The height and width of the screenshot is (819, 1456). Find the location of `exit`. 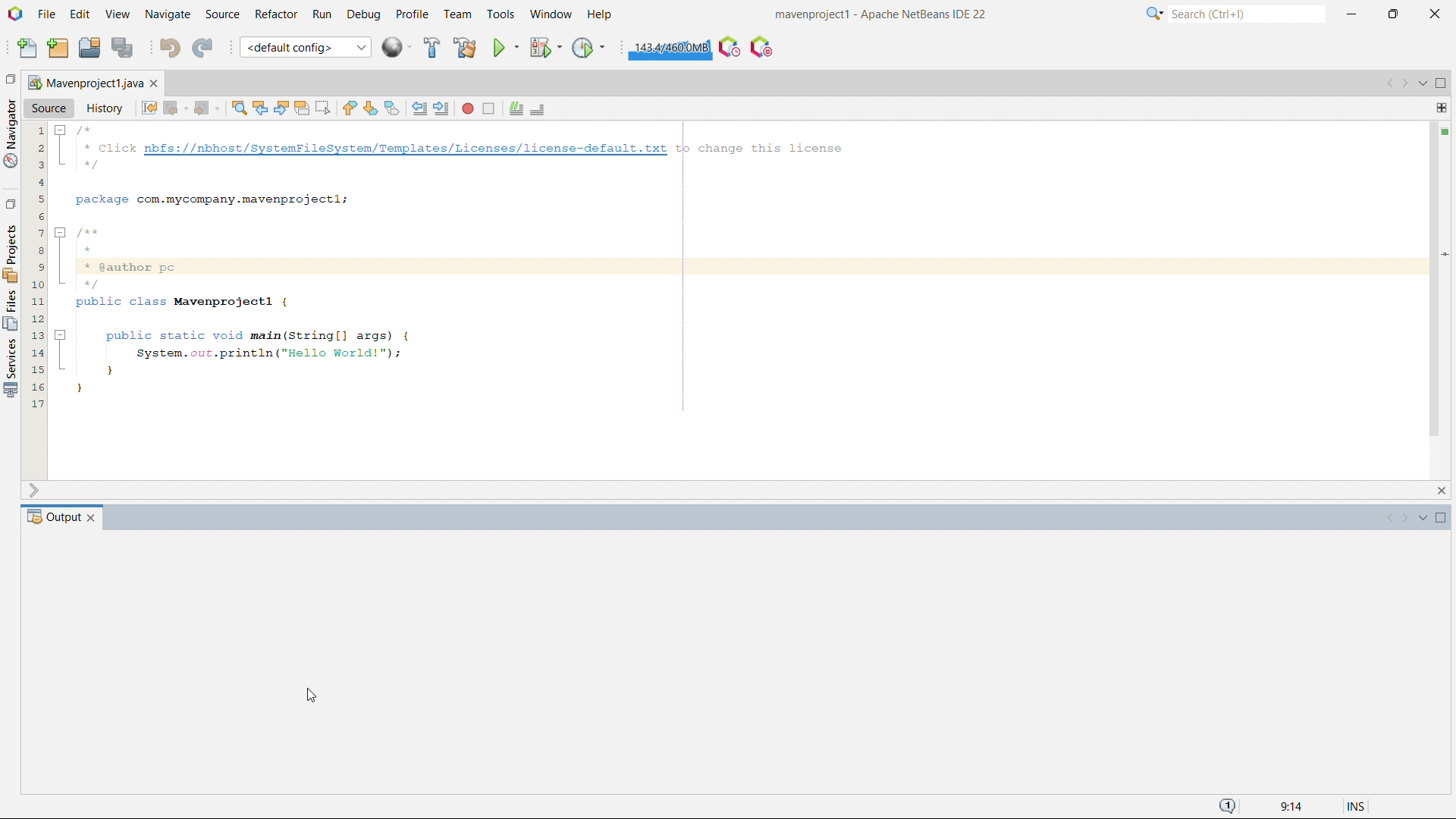

exit is located at coordinates (1442, 490).